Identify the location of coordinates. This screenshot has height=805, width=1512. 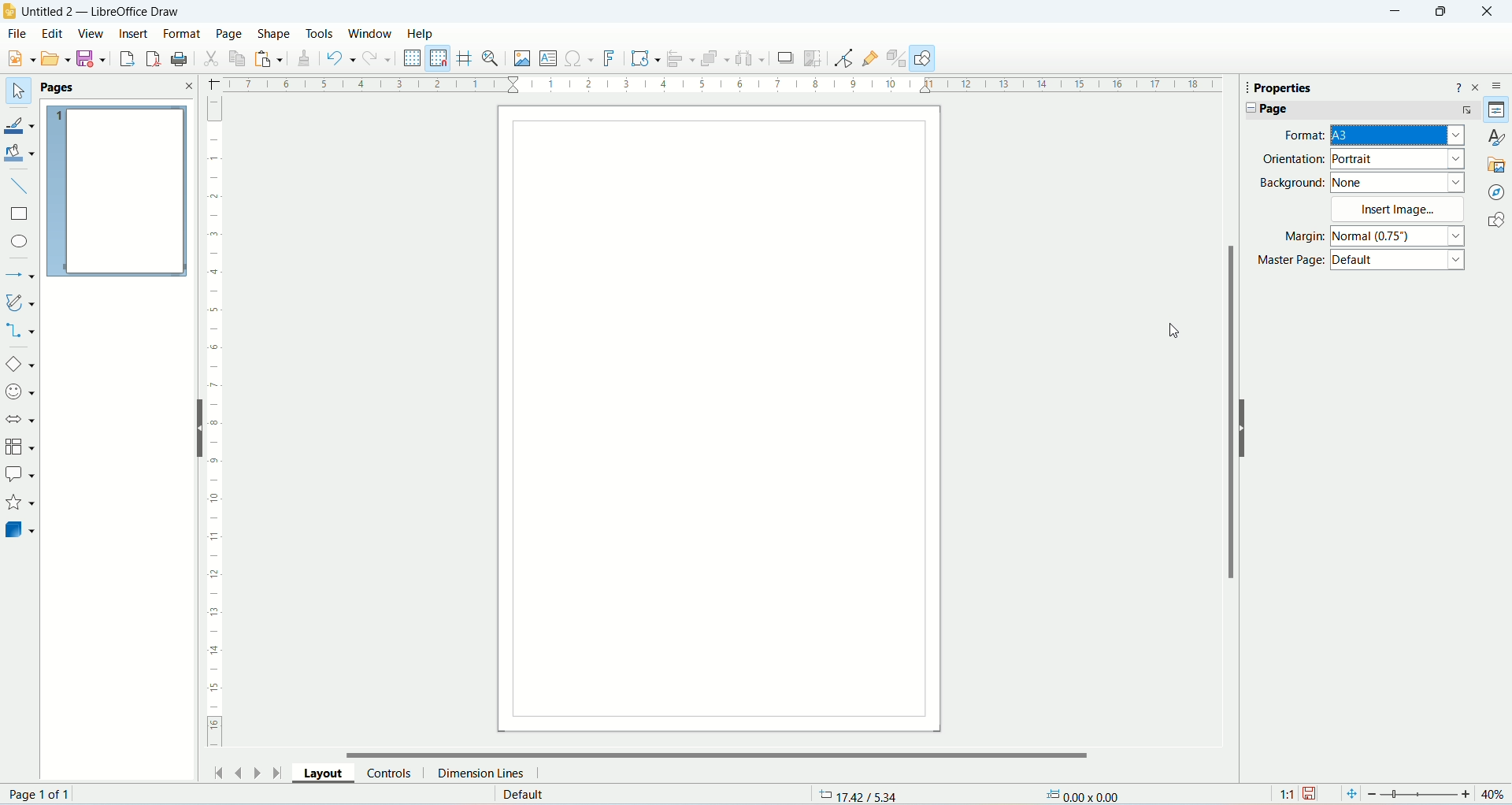
(856, 794).